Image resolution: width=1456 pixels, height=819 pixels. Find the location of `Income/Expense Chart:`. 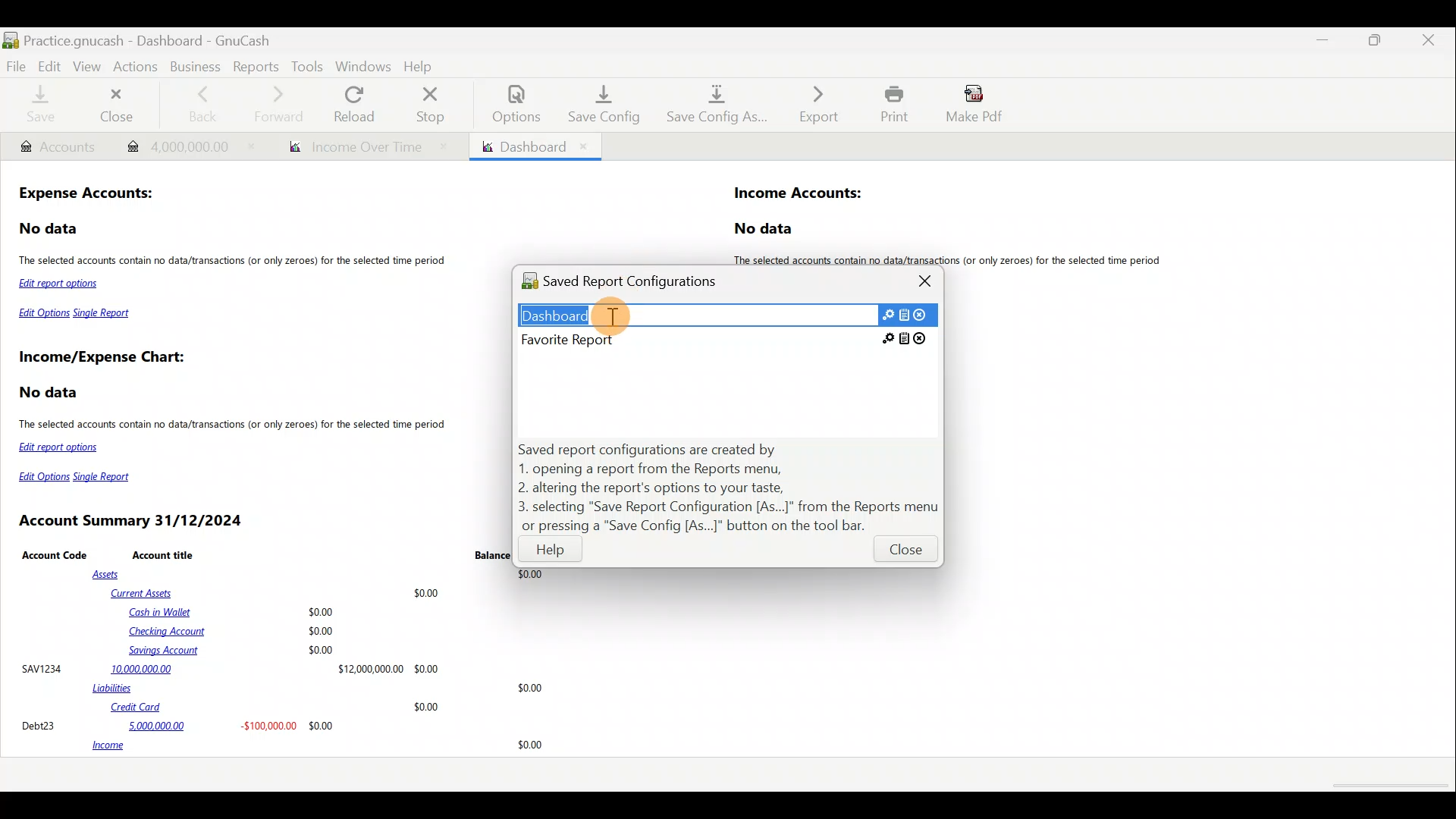

Income/Expense Chart: is located at coordinates (102, 359).